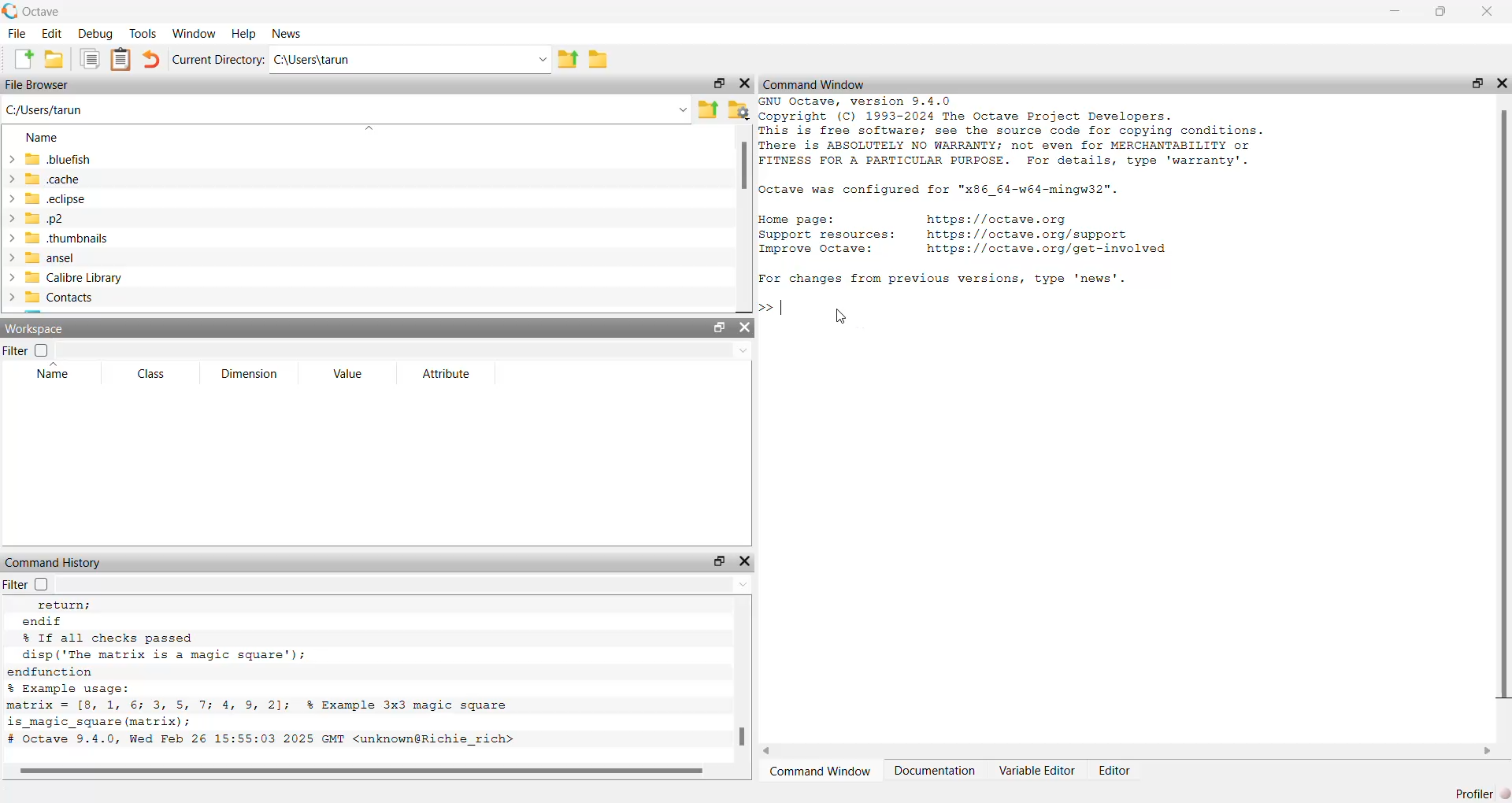 The height and width of the screenshot is (803, 1512). What do you see at coordinates (567, 61) in the screenshot?
I see `previous folder` at bounding box center [567, 61].